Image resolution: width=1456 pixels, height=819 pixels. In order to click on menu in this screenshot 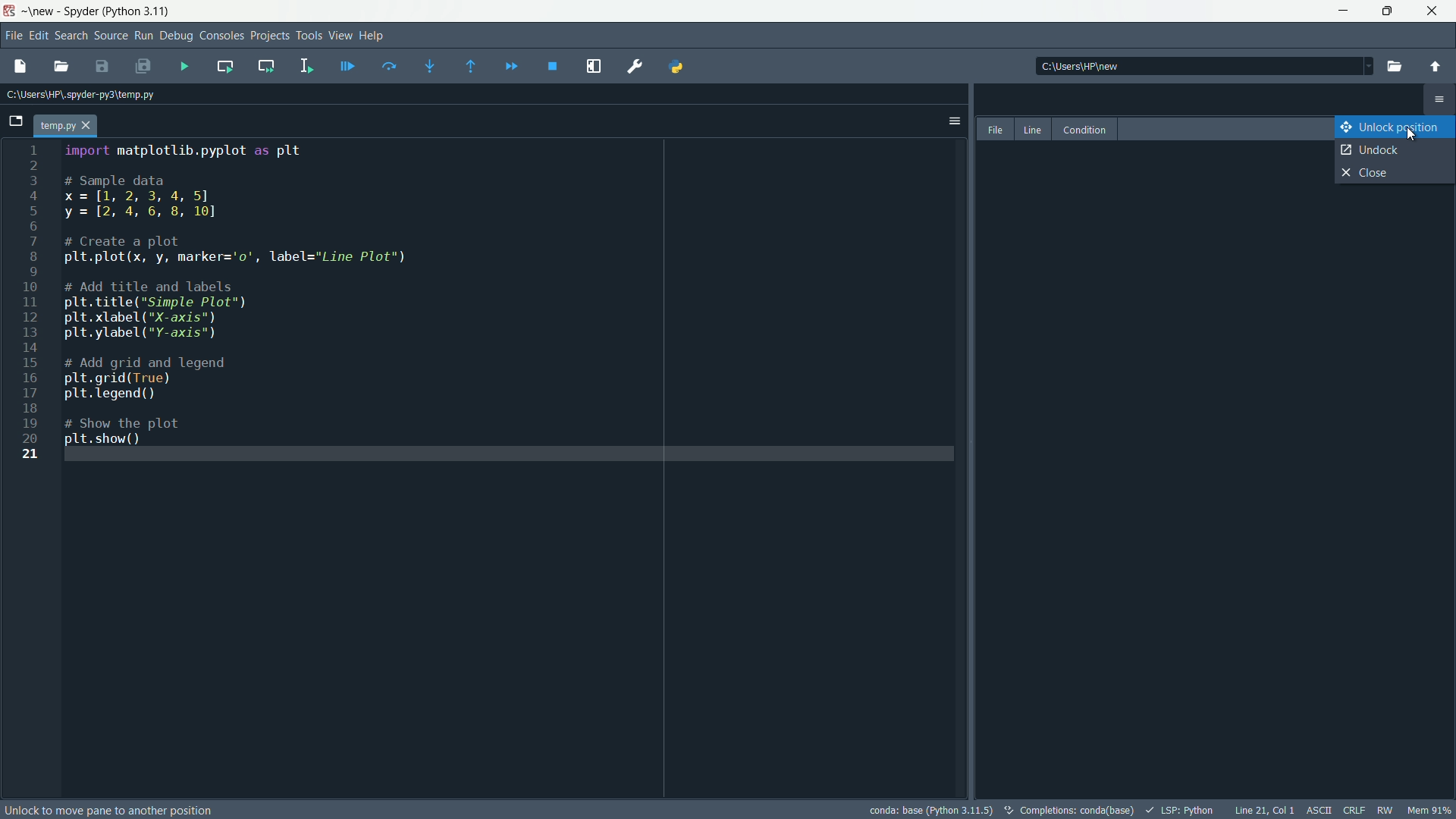, I will do `click(1439, 102)`.